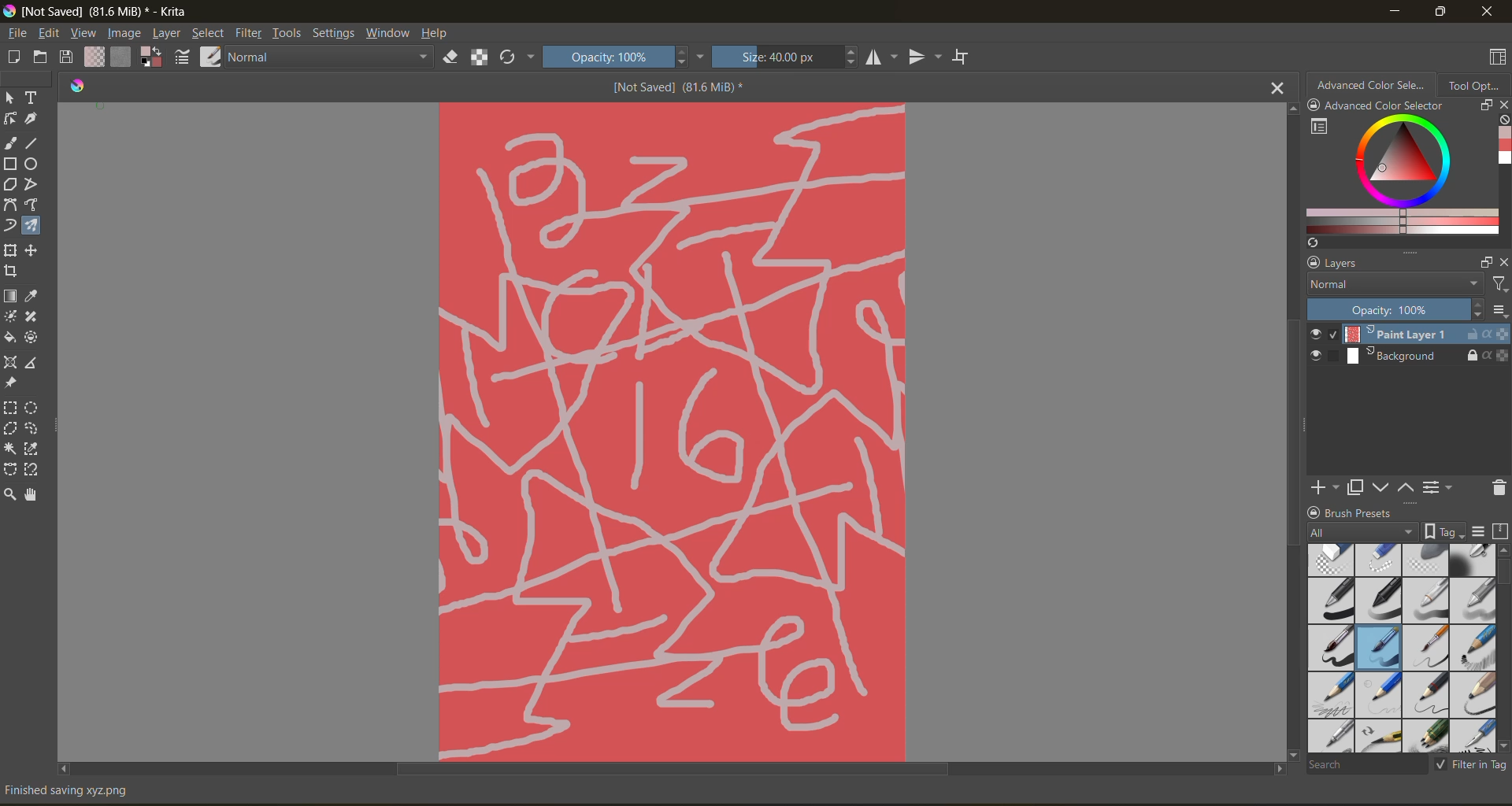  Describe the element at coordinates (1503, 148) in the screenshot. I see `Advanced color selector` at that location.